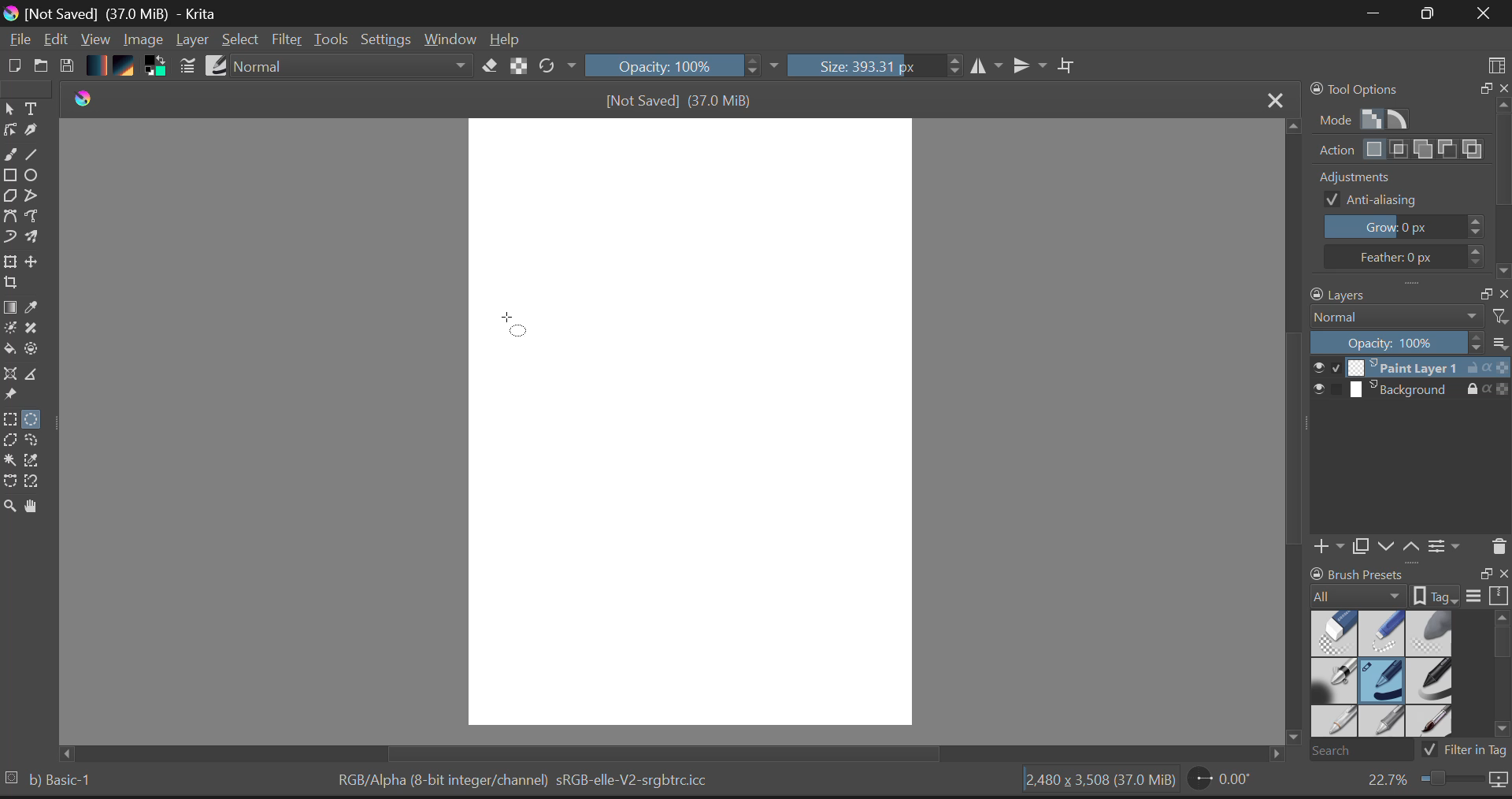  Describe the element at coordinates (32, 109) in the screenshot. I see `Text` at that location.